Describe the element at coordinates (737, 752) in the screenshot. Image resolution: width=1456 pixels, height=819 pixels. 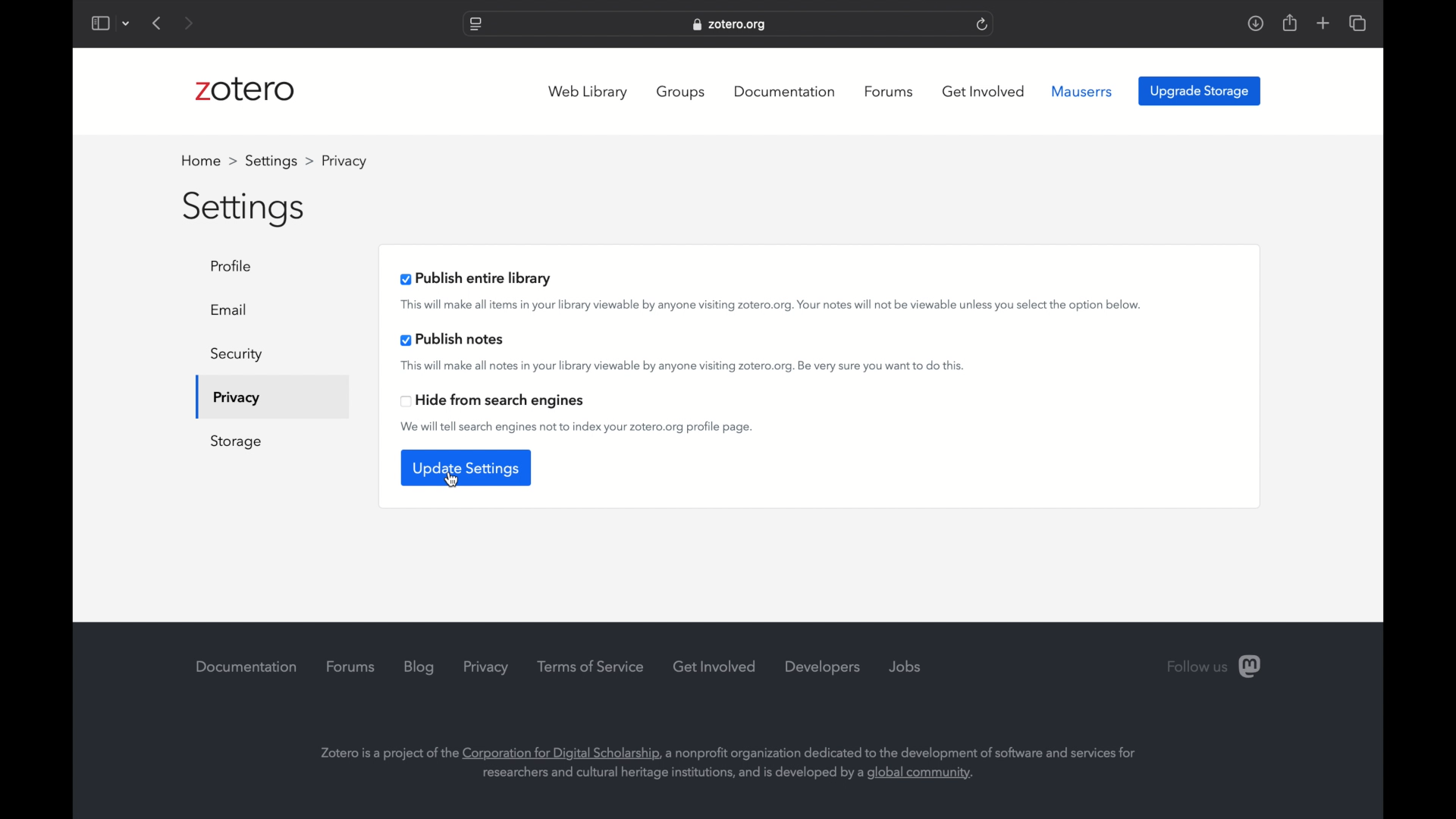
I see `Zotero is a project of the Corporation for Digital Scholarship, a nonprofit organization dedicated to the development of software and services for
researchers and cultural heritage institutions, and is developed by a global community.` at that location.